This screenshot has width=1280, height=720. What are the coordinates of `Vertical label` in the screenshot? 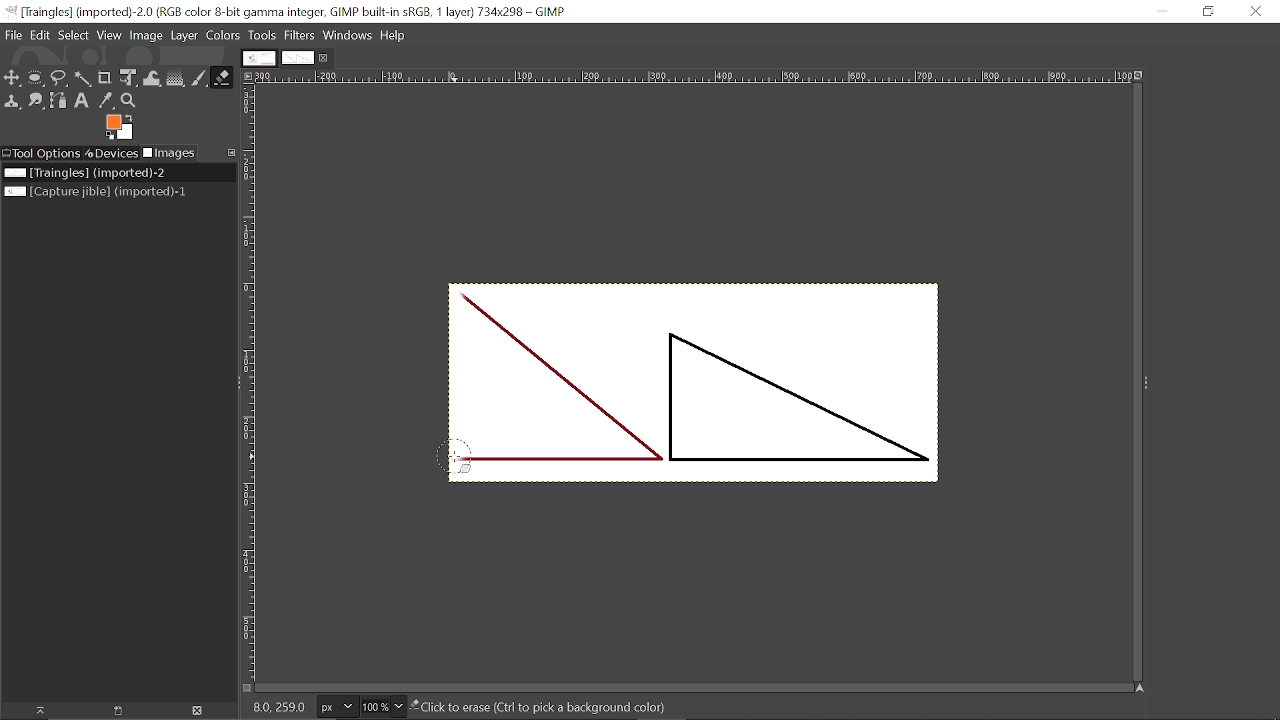 It's located at (251, 383).